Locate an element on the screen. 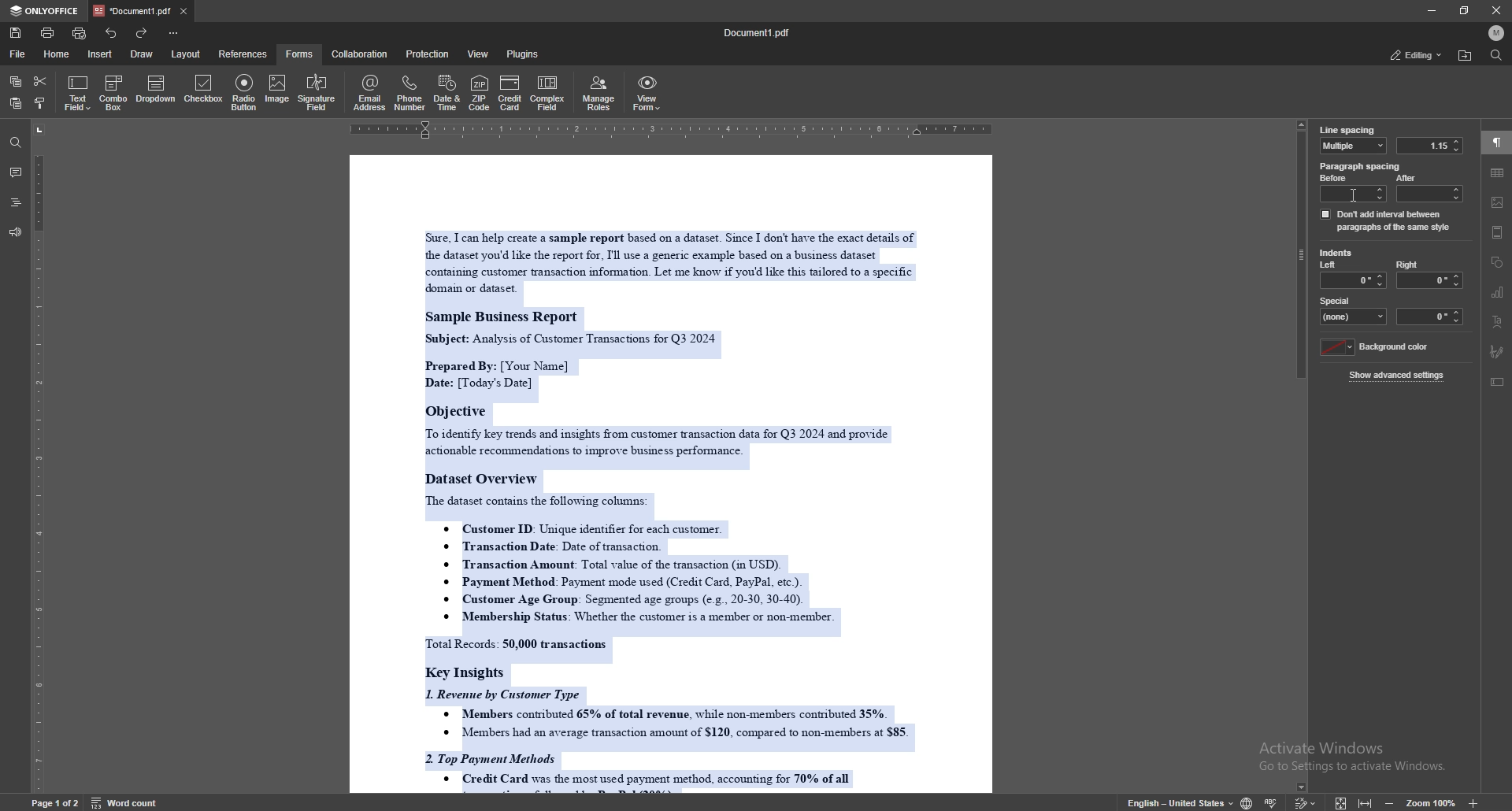 This screenshot has width=1512, height=811. line spacing is located at coordinates (1347, 130).